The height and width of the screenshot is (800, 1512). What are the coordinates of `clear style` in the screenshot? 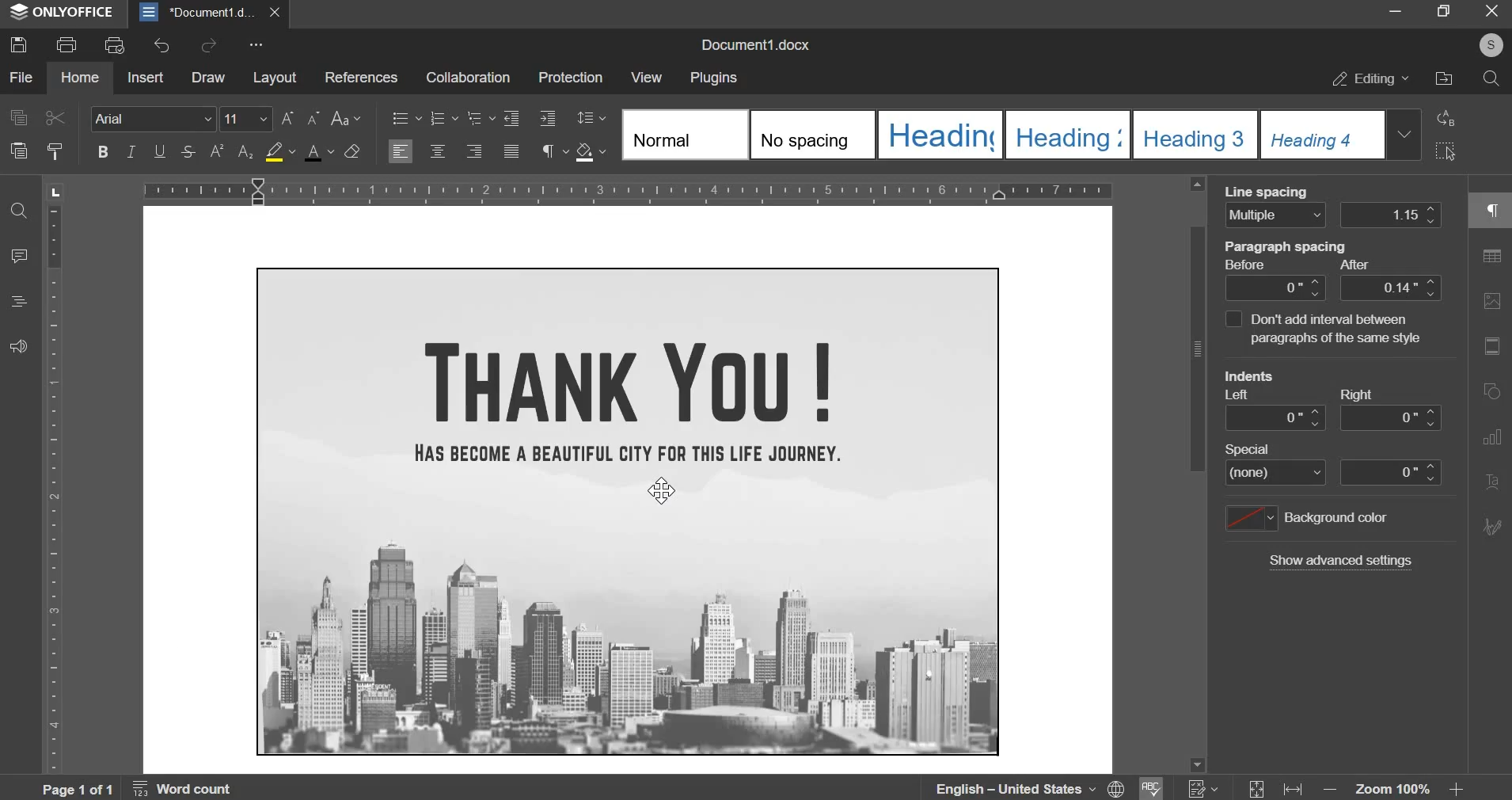 It's located at (57, 150).